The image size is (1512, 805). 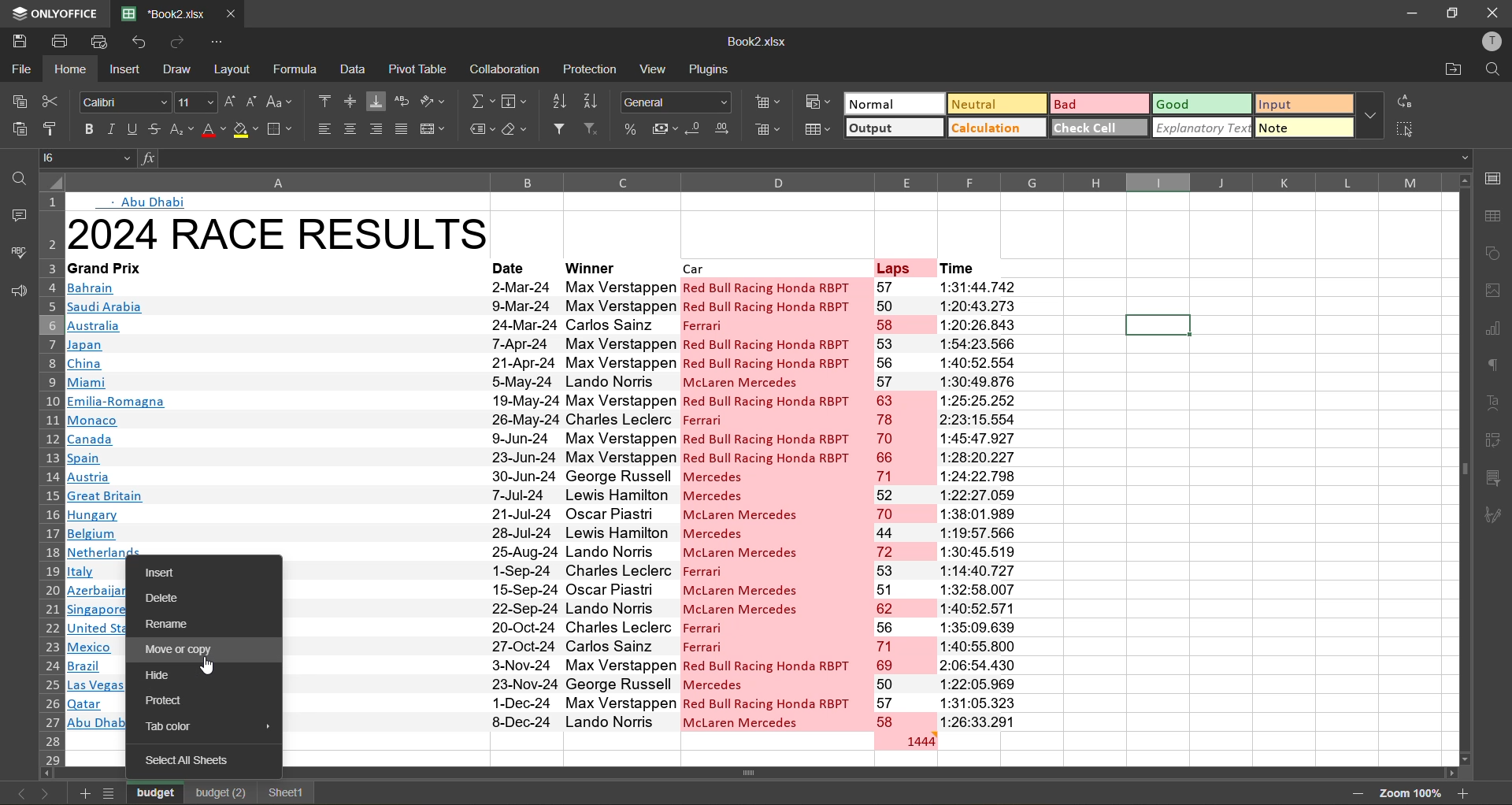 What do you see at coordinates (75, 69) in the screenshot?
I see `home` at bounding box center [75, 69].